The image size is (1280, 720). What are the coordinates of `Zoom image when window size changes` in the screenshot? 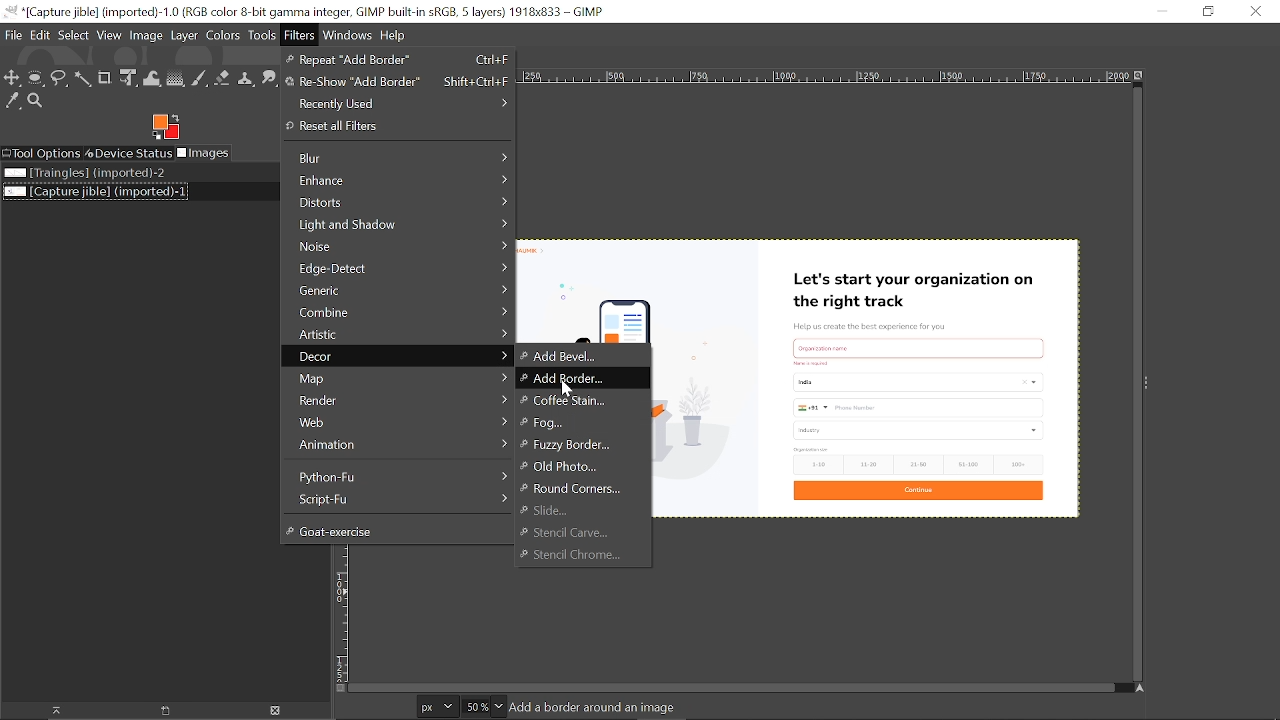 It's located at (1141, 79).